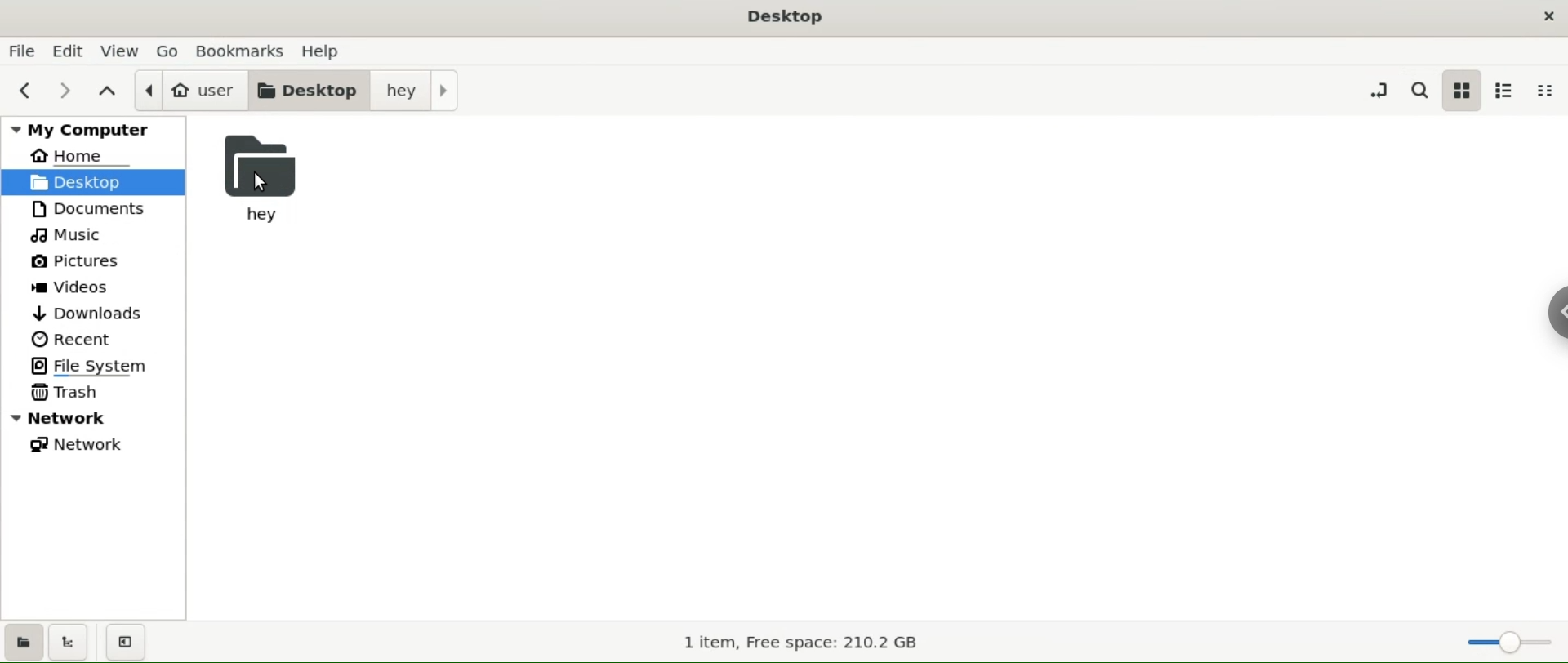 The height and width of the screenshot is (663, 1568). What do you see at coordinates (307, 91) in the screenshot?
I see `desktop` at bounding box center [307, 91].